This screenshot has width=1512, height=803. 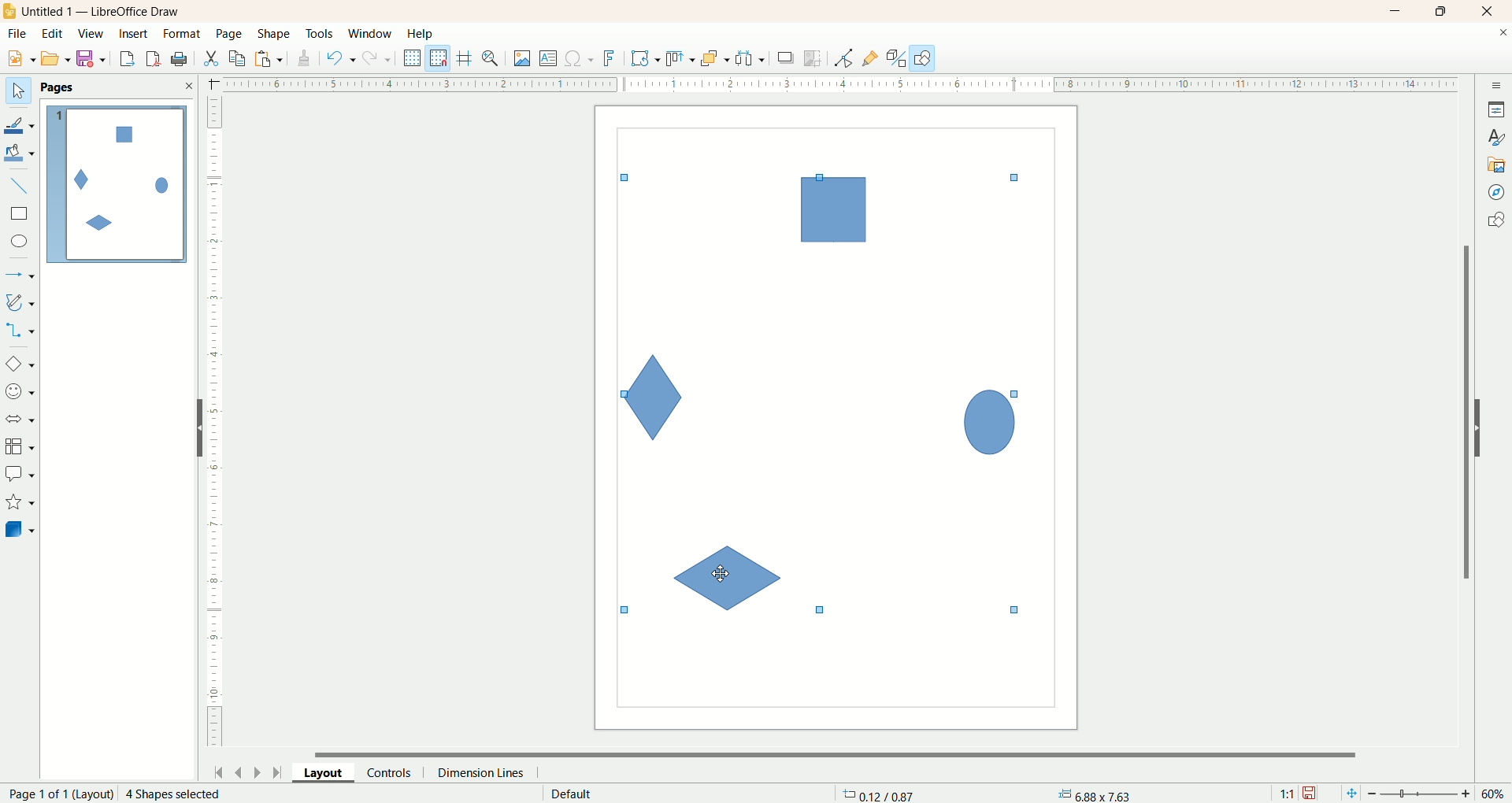 I want to click on zo, so click(x=493, y=58).